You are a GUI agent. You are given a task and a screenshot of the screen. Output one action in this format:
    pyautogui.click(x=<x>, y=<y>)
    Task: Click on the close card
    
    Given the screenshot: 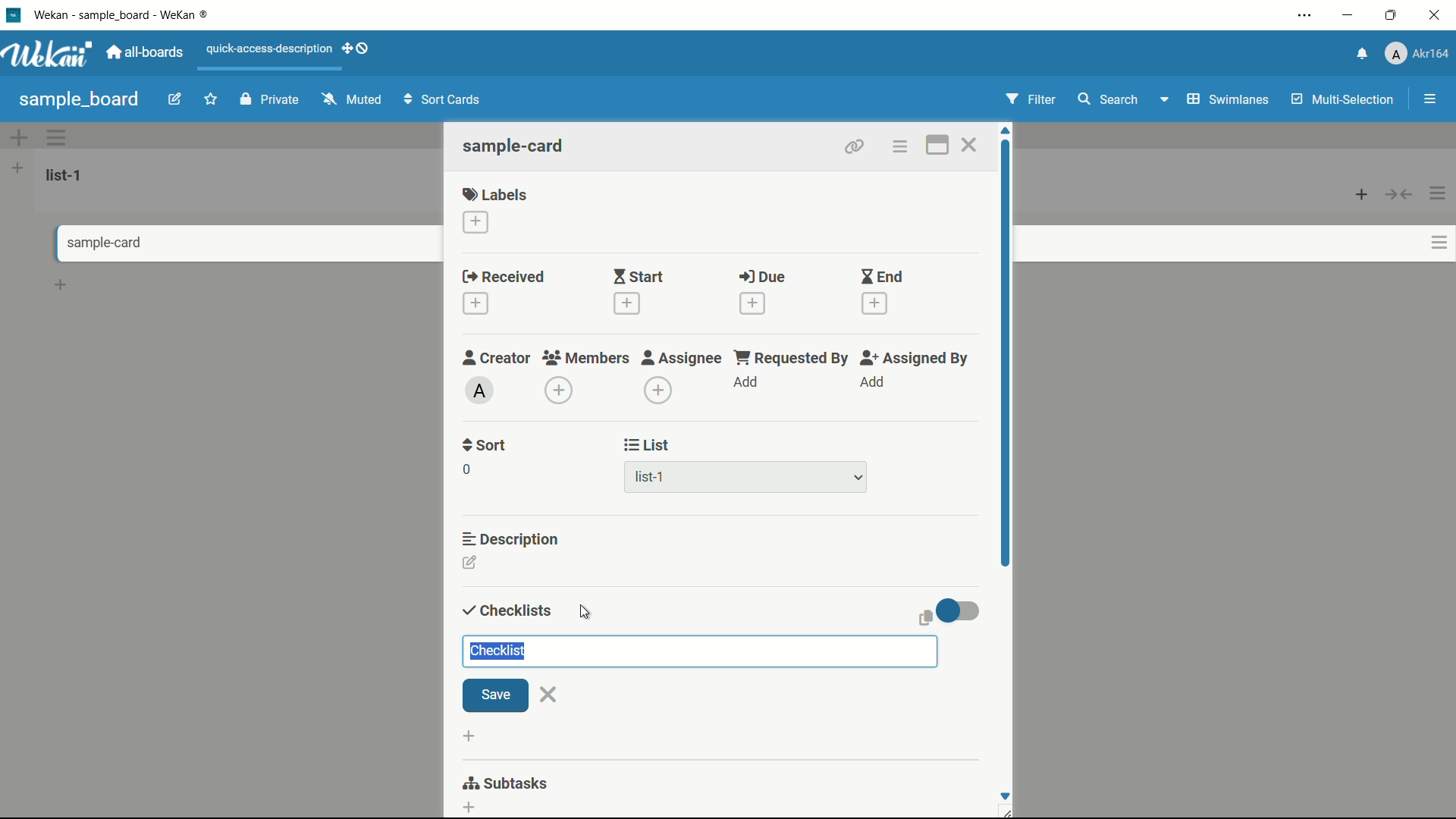 What is the action you would take?
    pyautogui.click(x=968, y=147)
    